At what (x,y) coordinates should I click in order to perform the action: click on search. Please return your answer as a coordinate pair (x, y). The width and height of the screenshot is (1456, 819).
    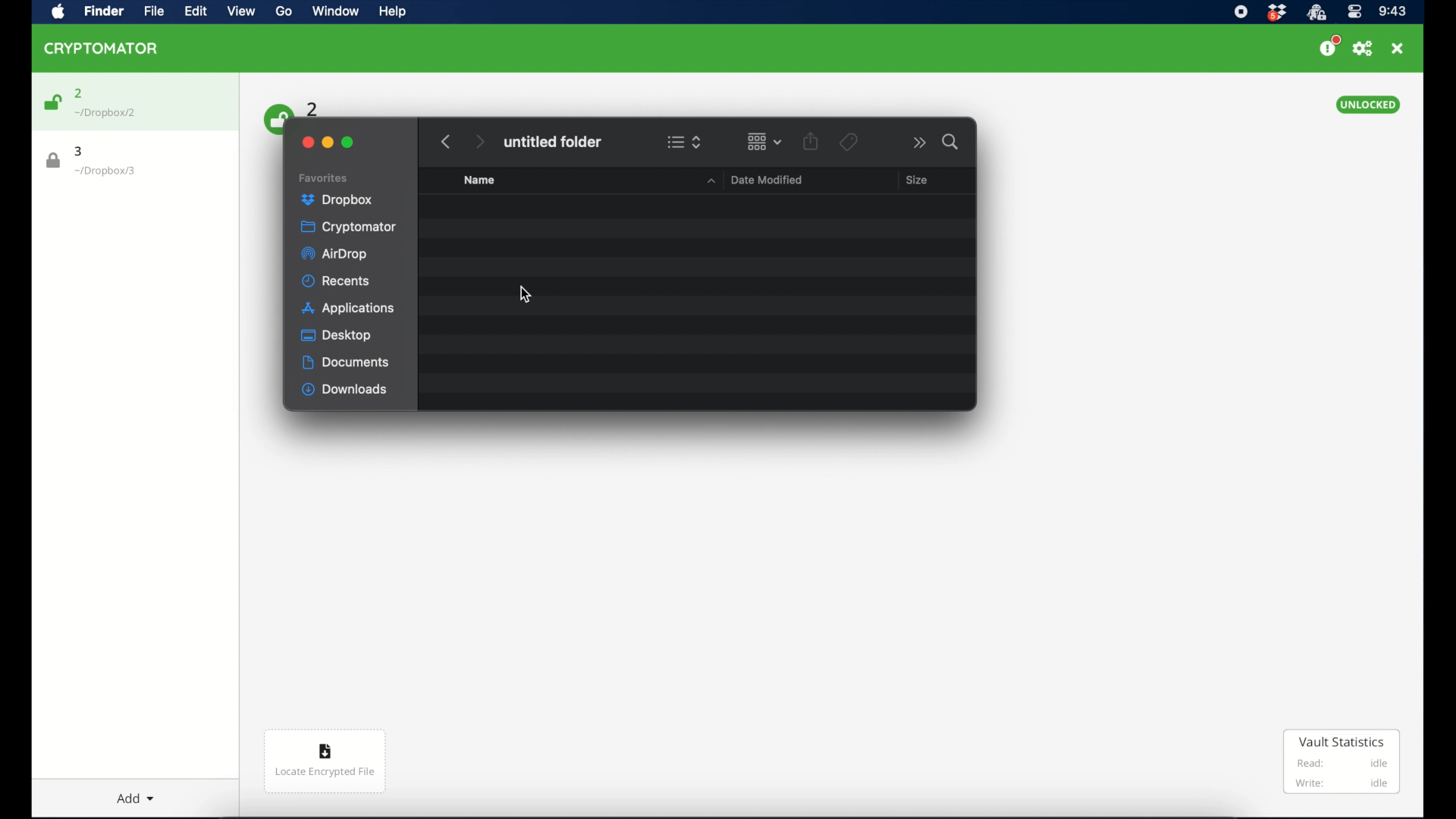
    Looking at the image, I should click on (952, 142).